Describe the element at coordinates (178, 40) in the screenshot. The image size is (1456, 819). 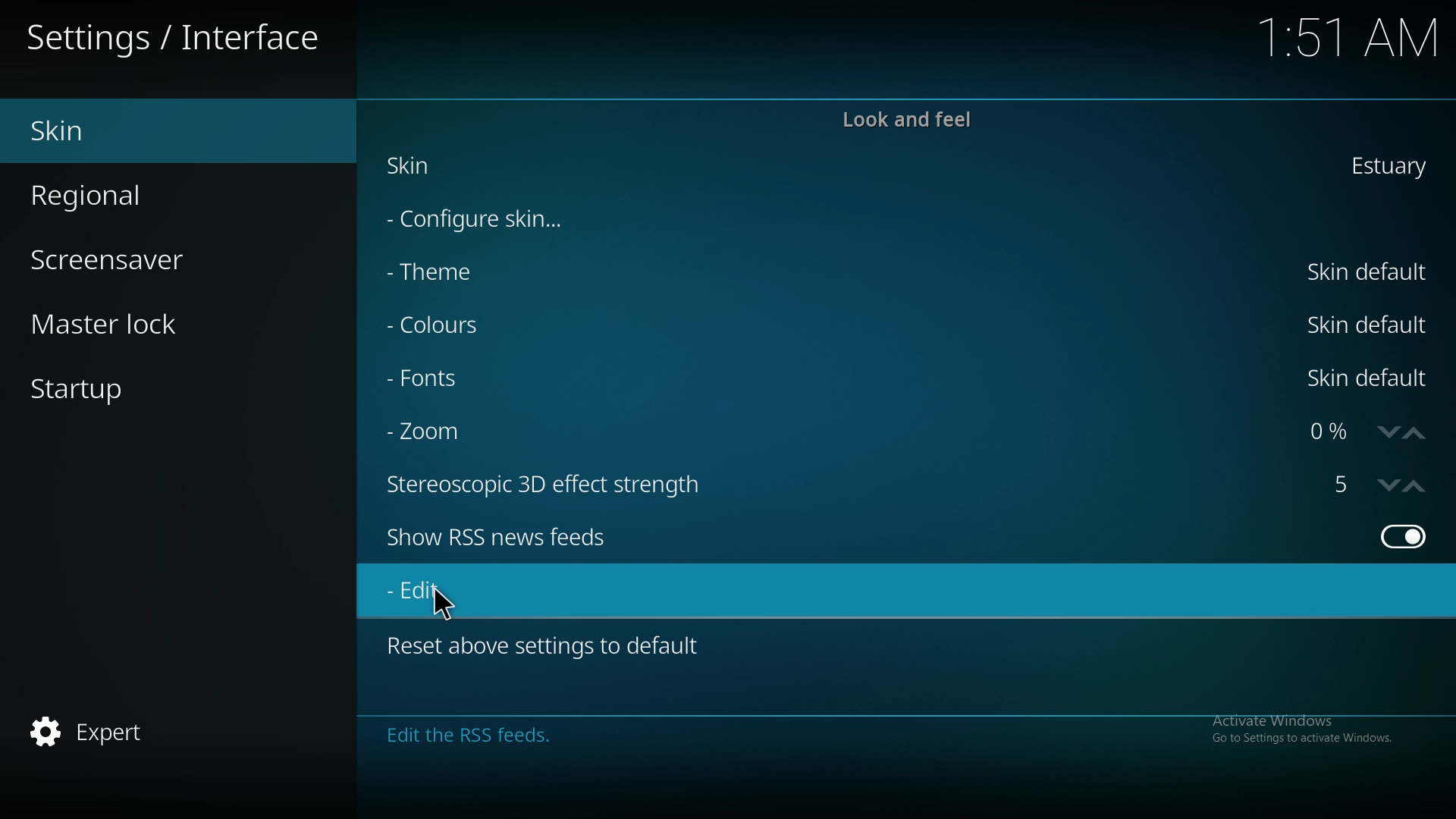
I see `settings/interface` at that location.